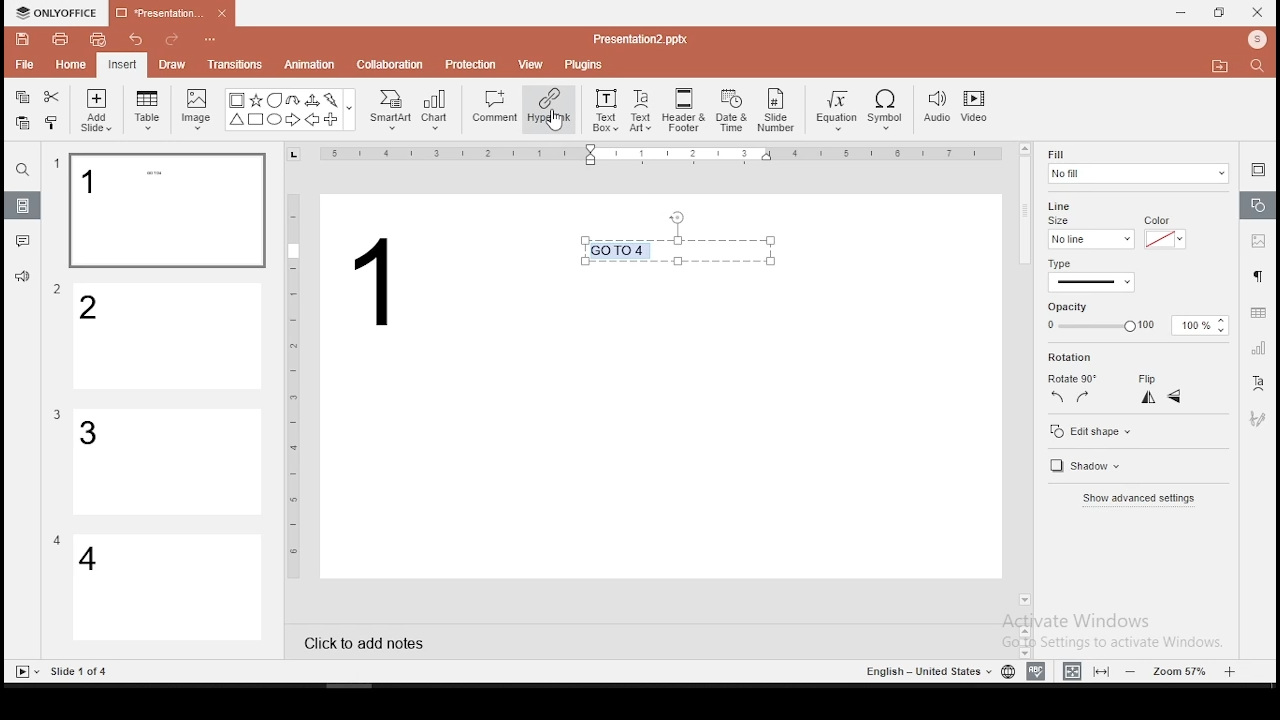 This screenshot has width=1280, height=720. Describe the element at coordinates (121, 64) in the screenshot. I see `insert` at that location.